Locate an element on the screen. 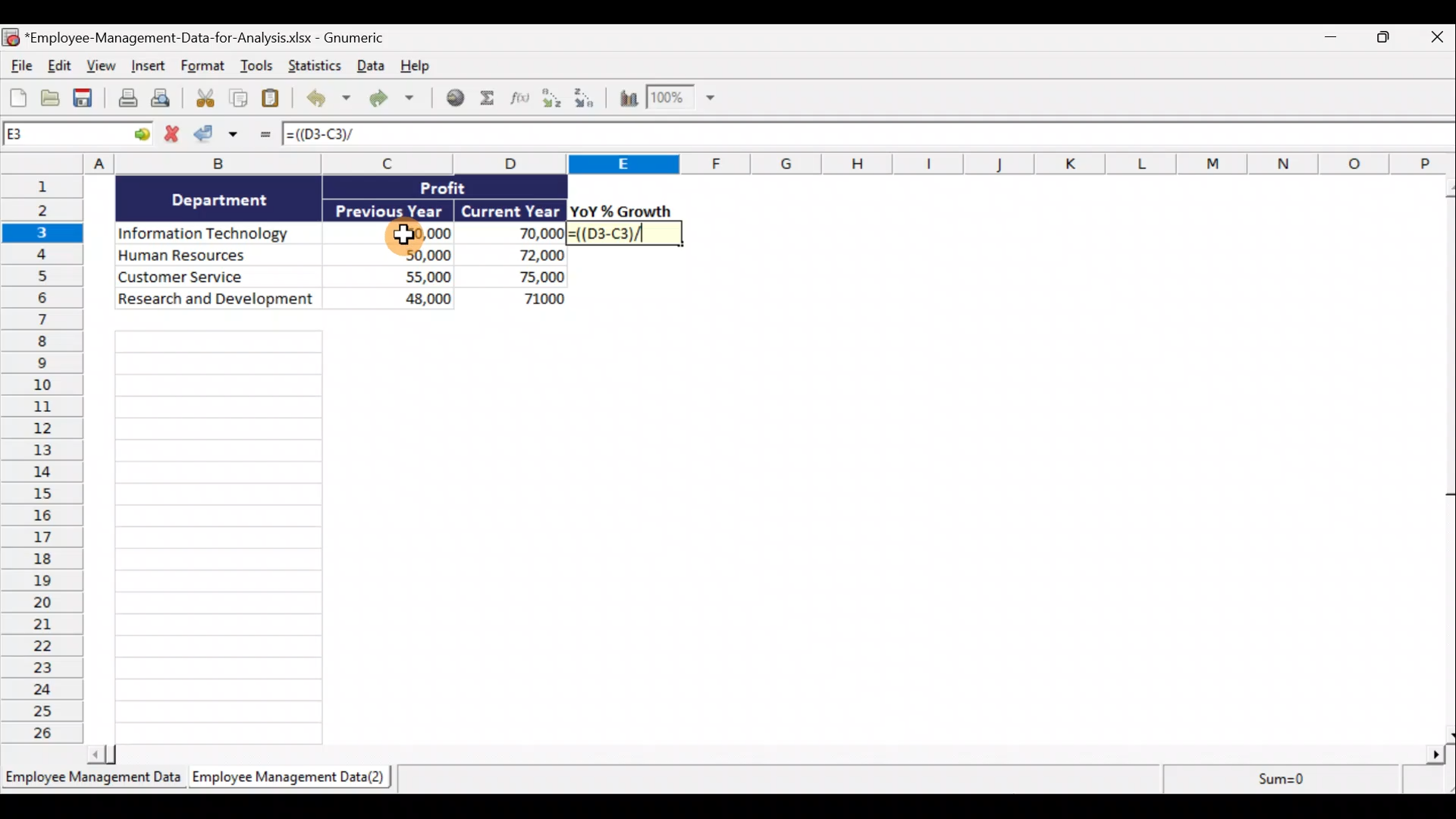 The height and width of the screenshot is (819, 1456). Cursor is located at coordinates (407, 237).